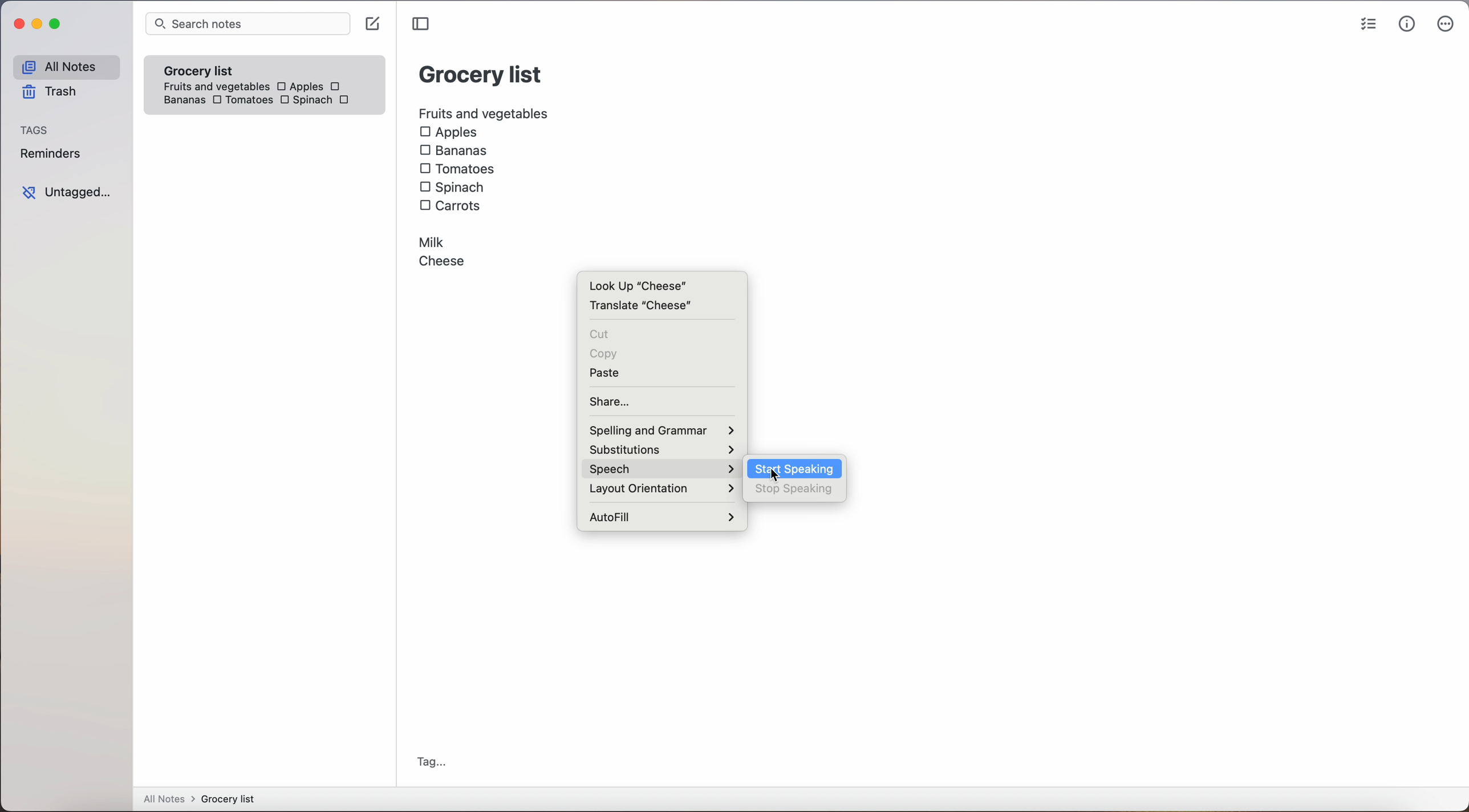 The image size is (1469, 812). Describe the element at coordinates (775, 473) in the screenshot. I see `cursor` at that location.